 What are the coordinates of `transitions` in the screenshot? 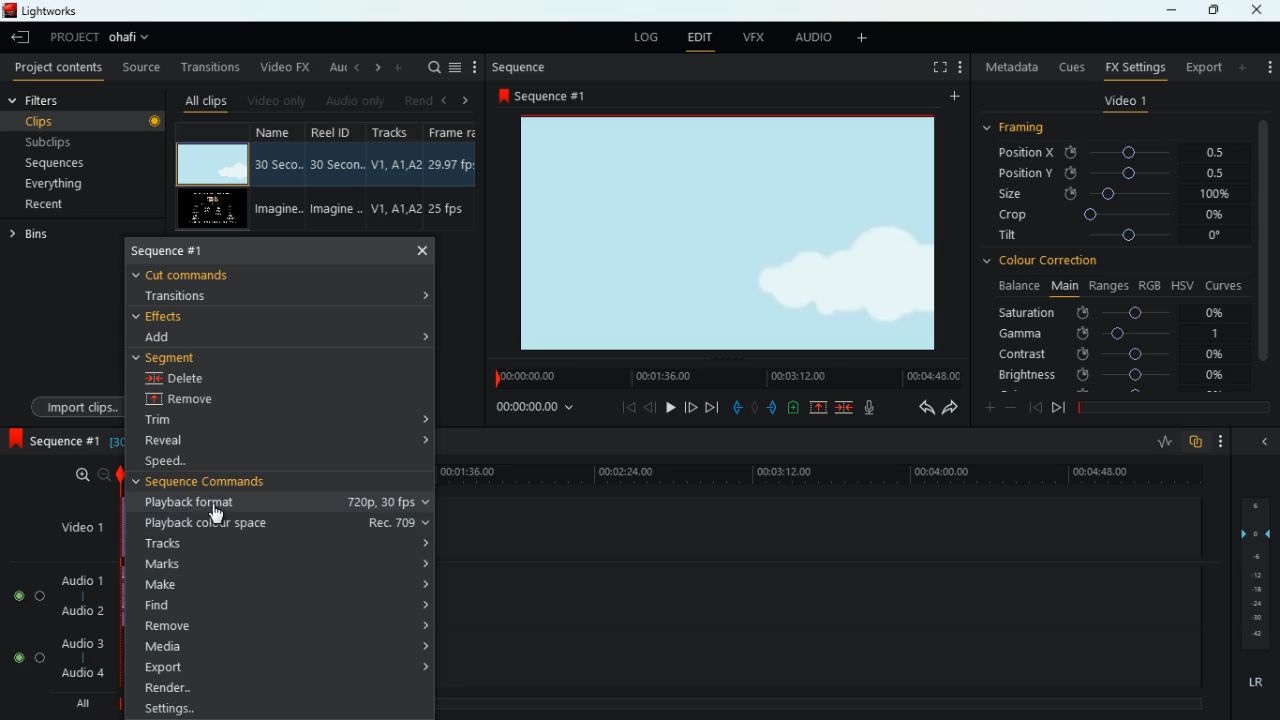 It's located at (208, 66).